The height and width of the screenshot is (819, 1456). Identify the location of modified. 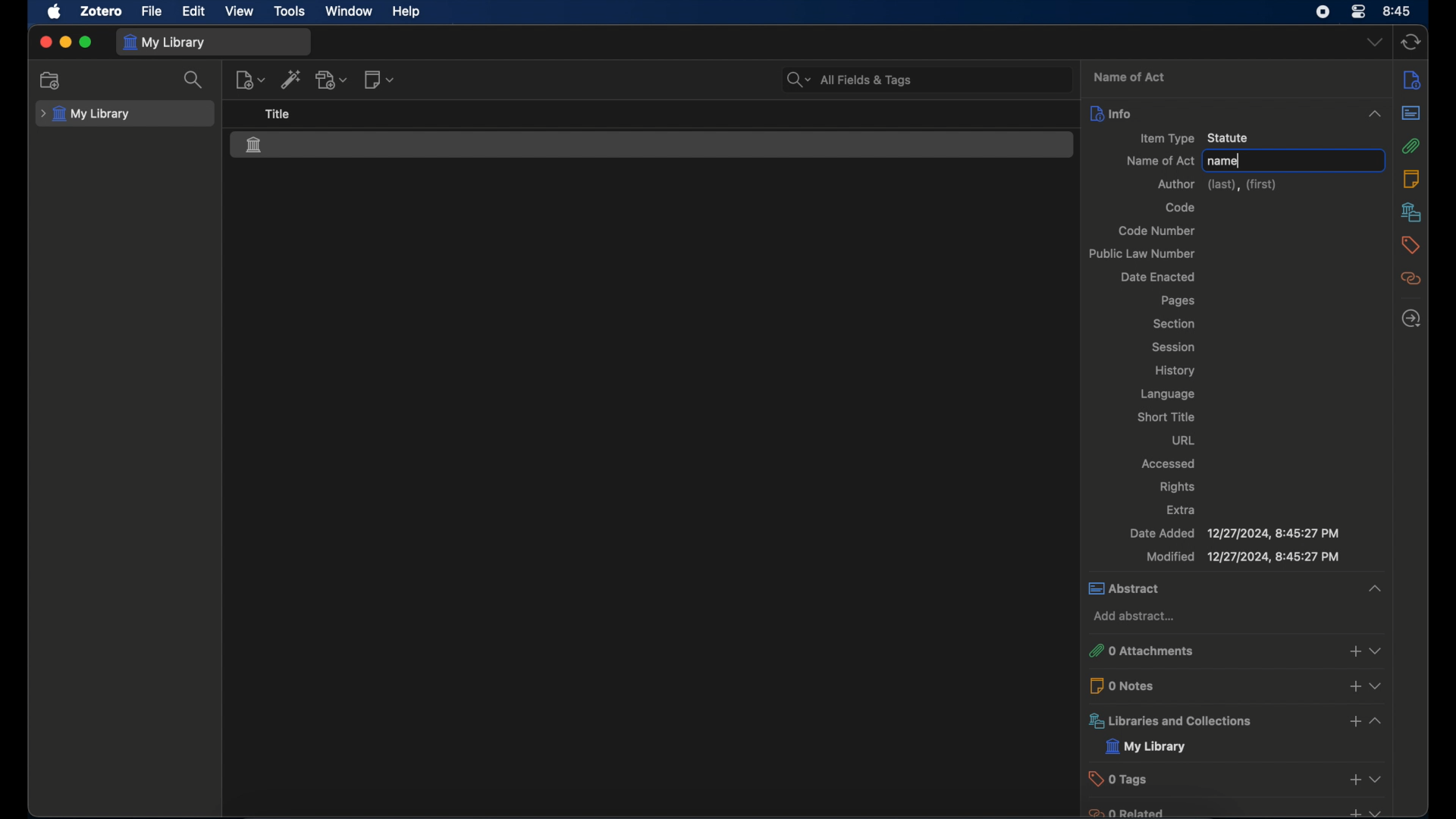
(1242, 557).